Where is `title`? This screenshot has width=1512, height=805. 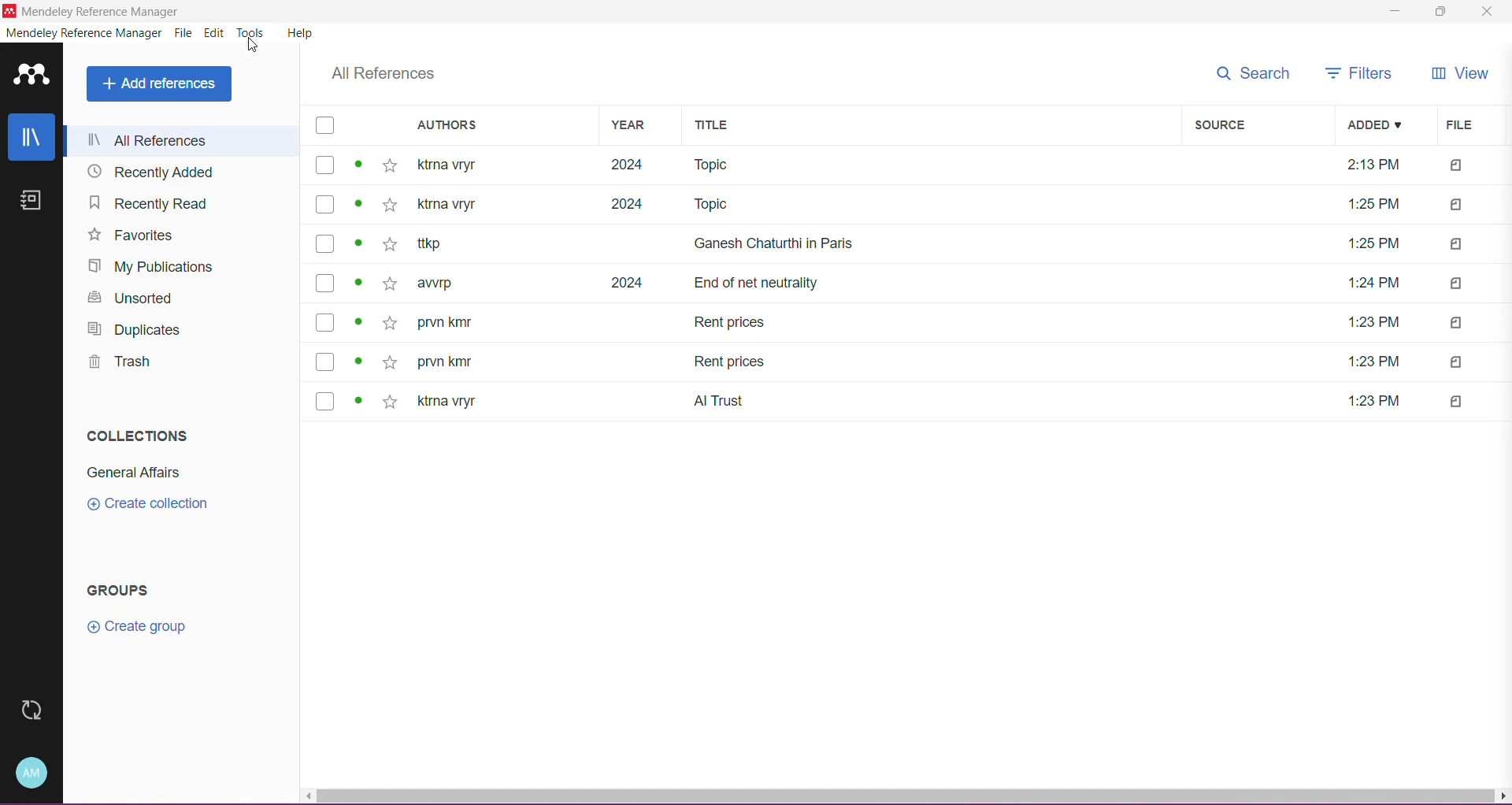
title is located at coordinates (733, 363).